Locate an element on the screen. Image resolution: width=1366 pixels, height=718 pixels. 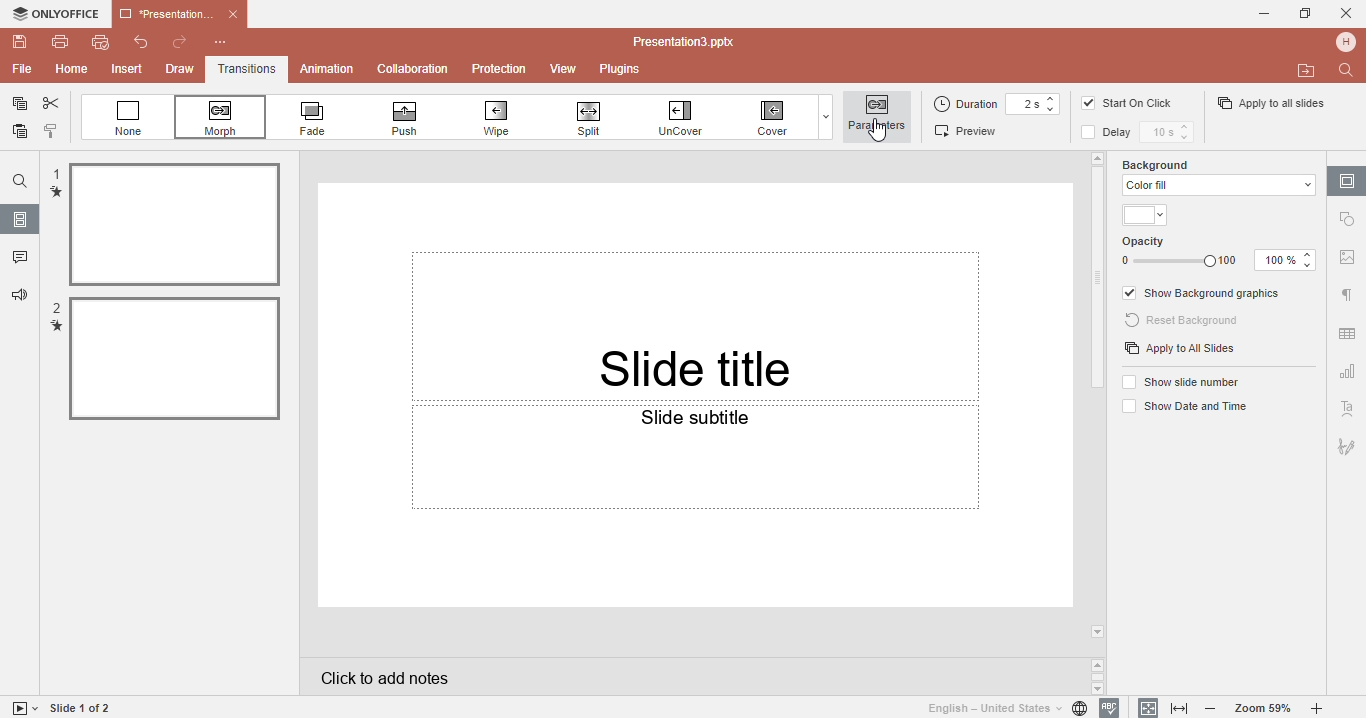
Parameters is located at coordinates (876, 117).